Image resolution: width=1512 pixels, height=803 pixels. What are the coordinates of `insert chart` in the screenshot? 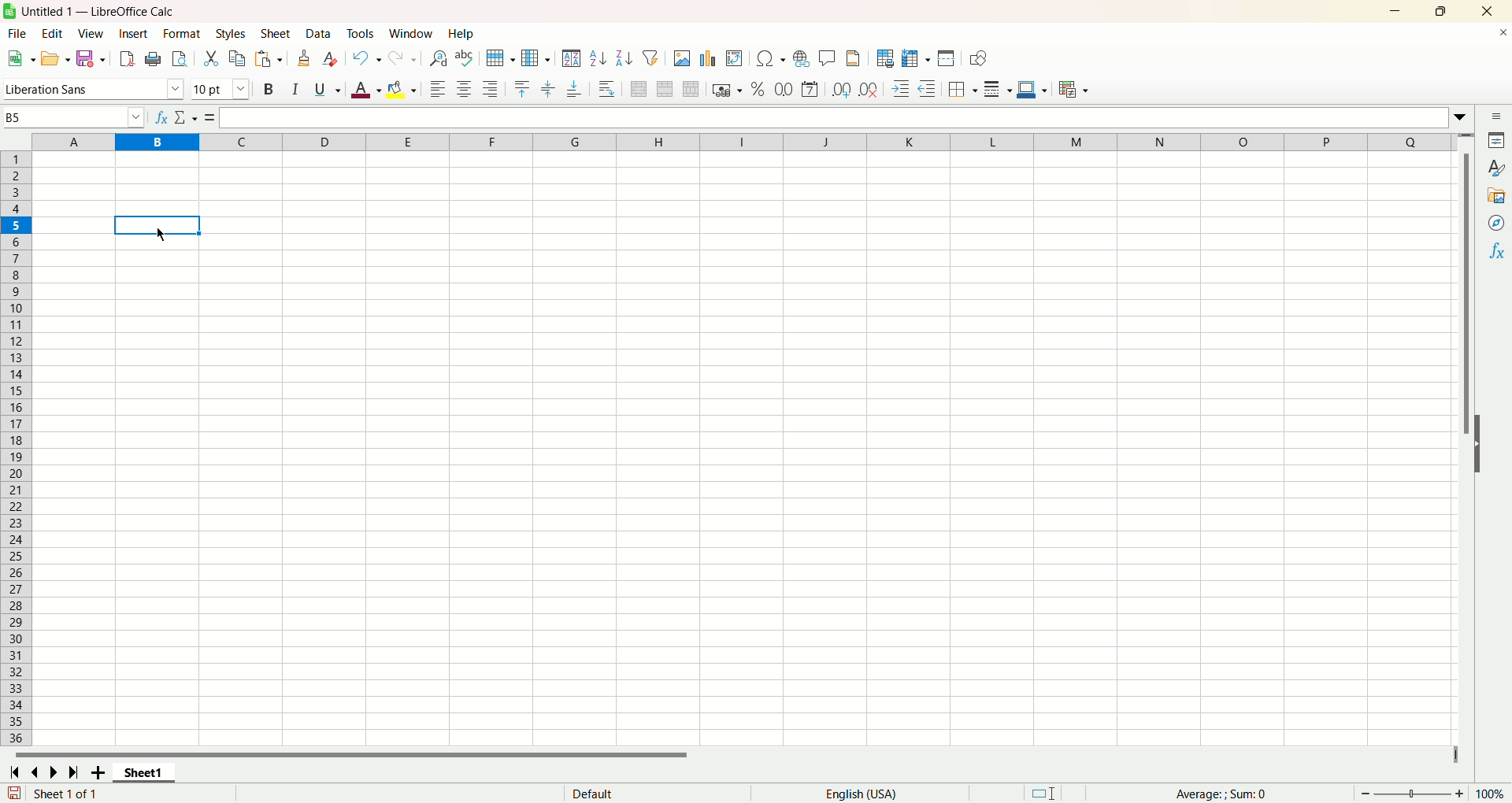 It's located at (711, 57).